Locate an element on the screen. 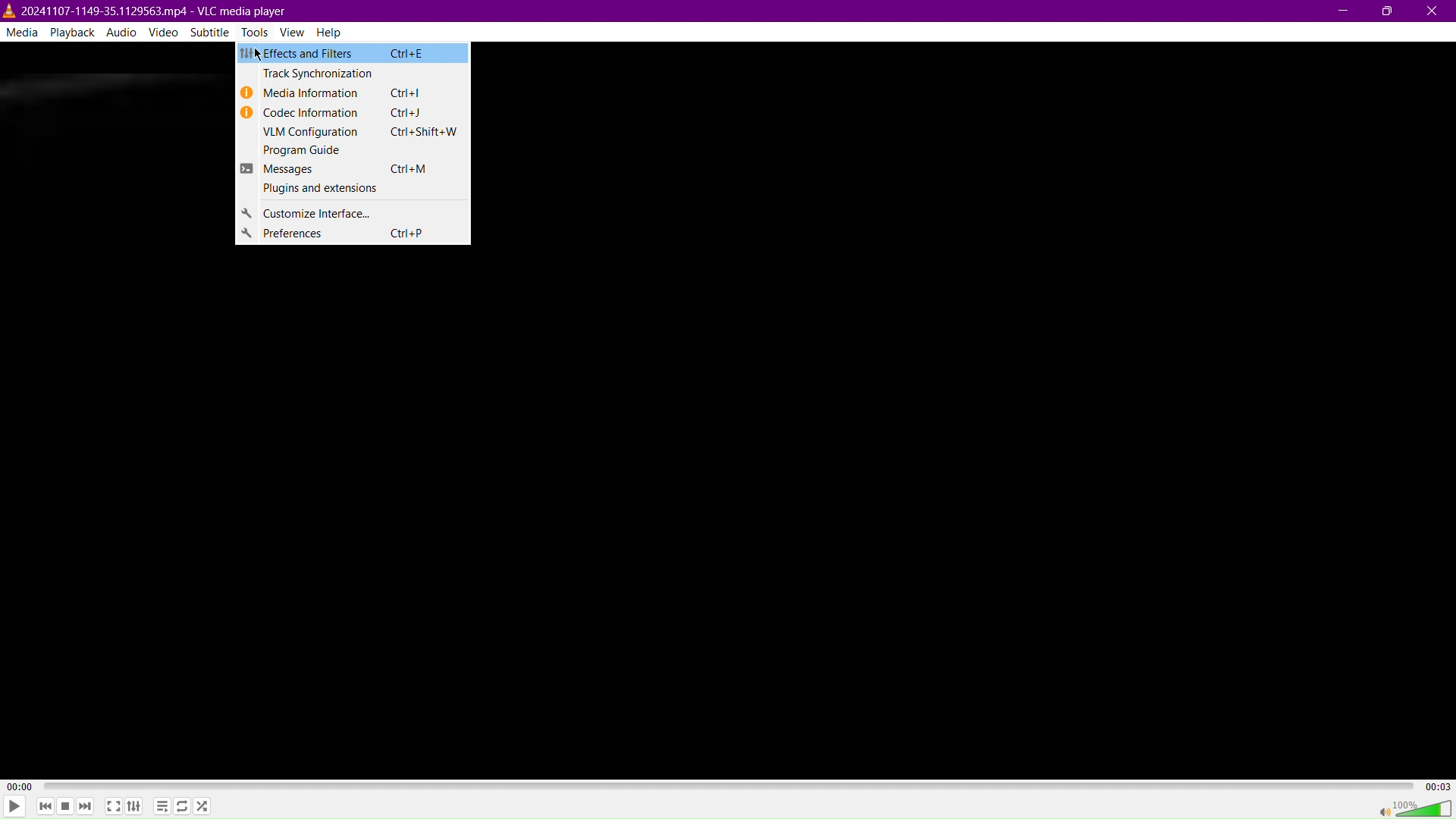 The width and height of the screenshot is (1456, 819). Codec Information is located at coordinates (353, 113).